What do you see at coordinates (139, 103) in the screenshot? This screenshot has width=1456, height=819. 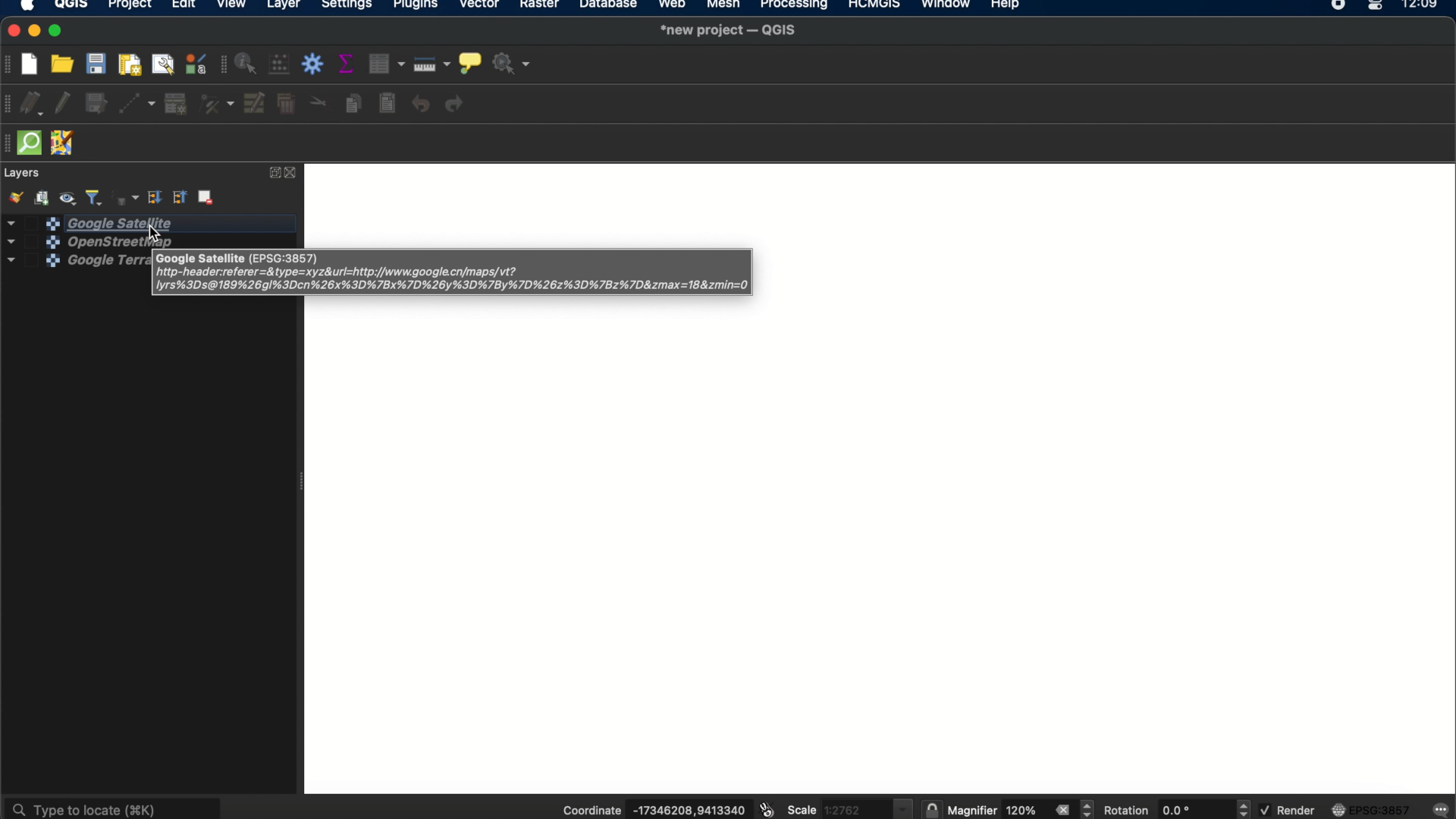 I see `digitize with segment` at bounding box center [139, 103].